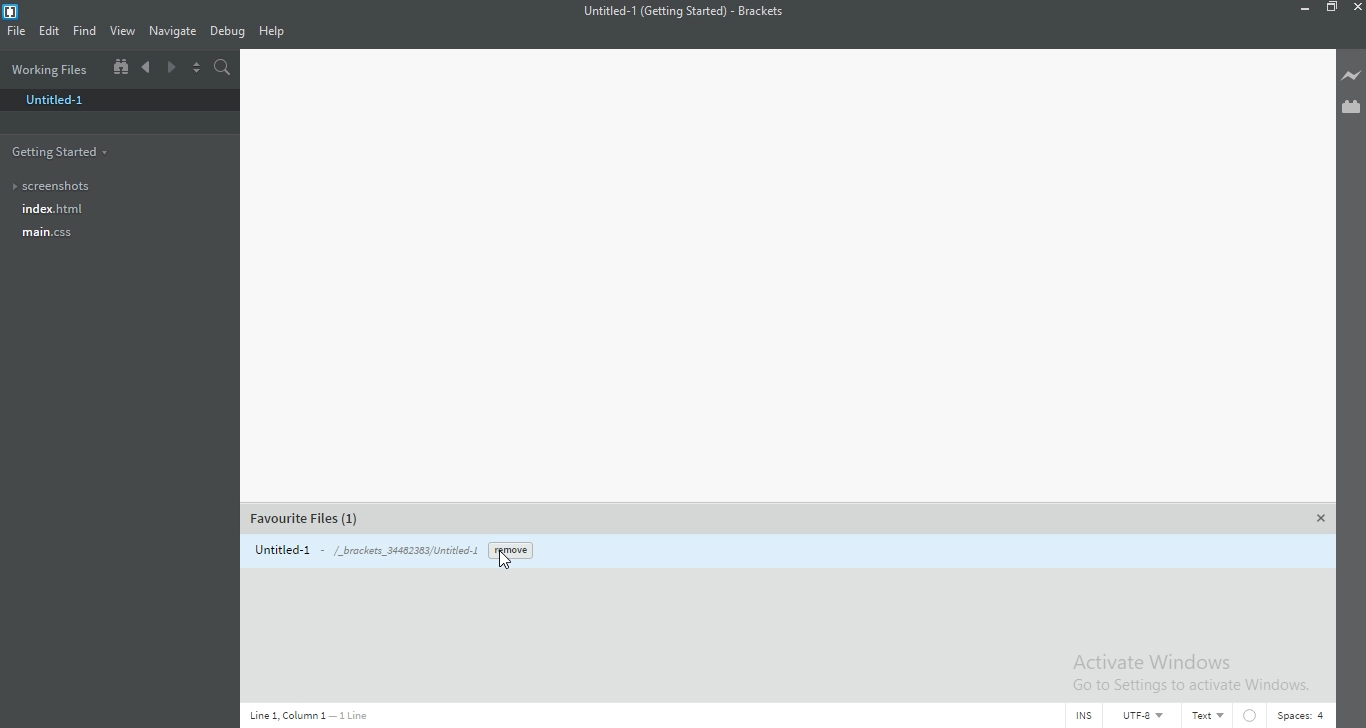 The image size is (1366, 728). What do you see at coordinates (18, 33) in the screenshot?
I see `File` at bounding box center [18, 33].